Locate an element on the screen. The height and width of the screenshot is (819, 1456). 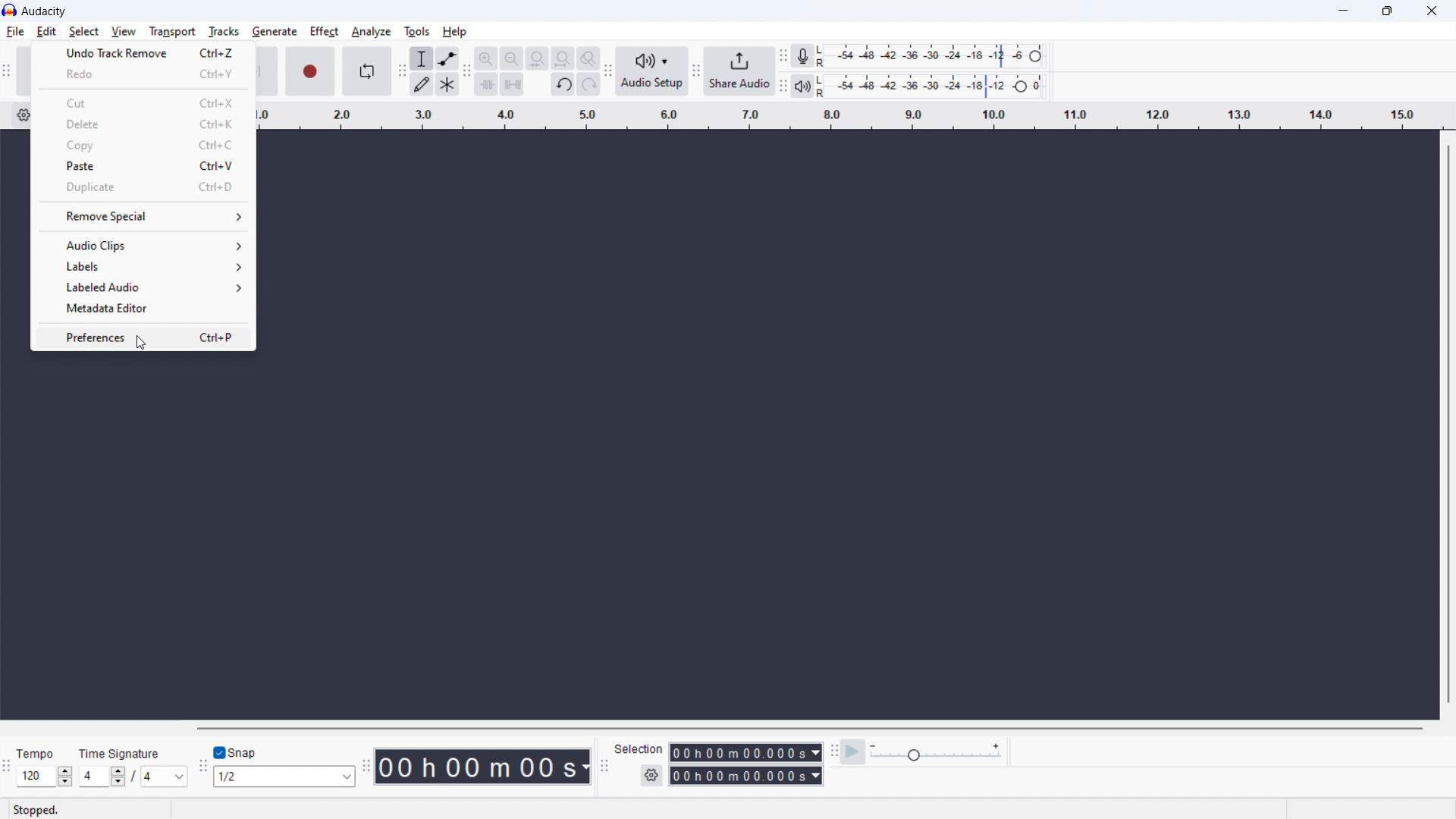
Input set tempo manually is located at coordinates (36, 777).